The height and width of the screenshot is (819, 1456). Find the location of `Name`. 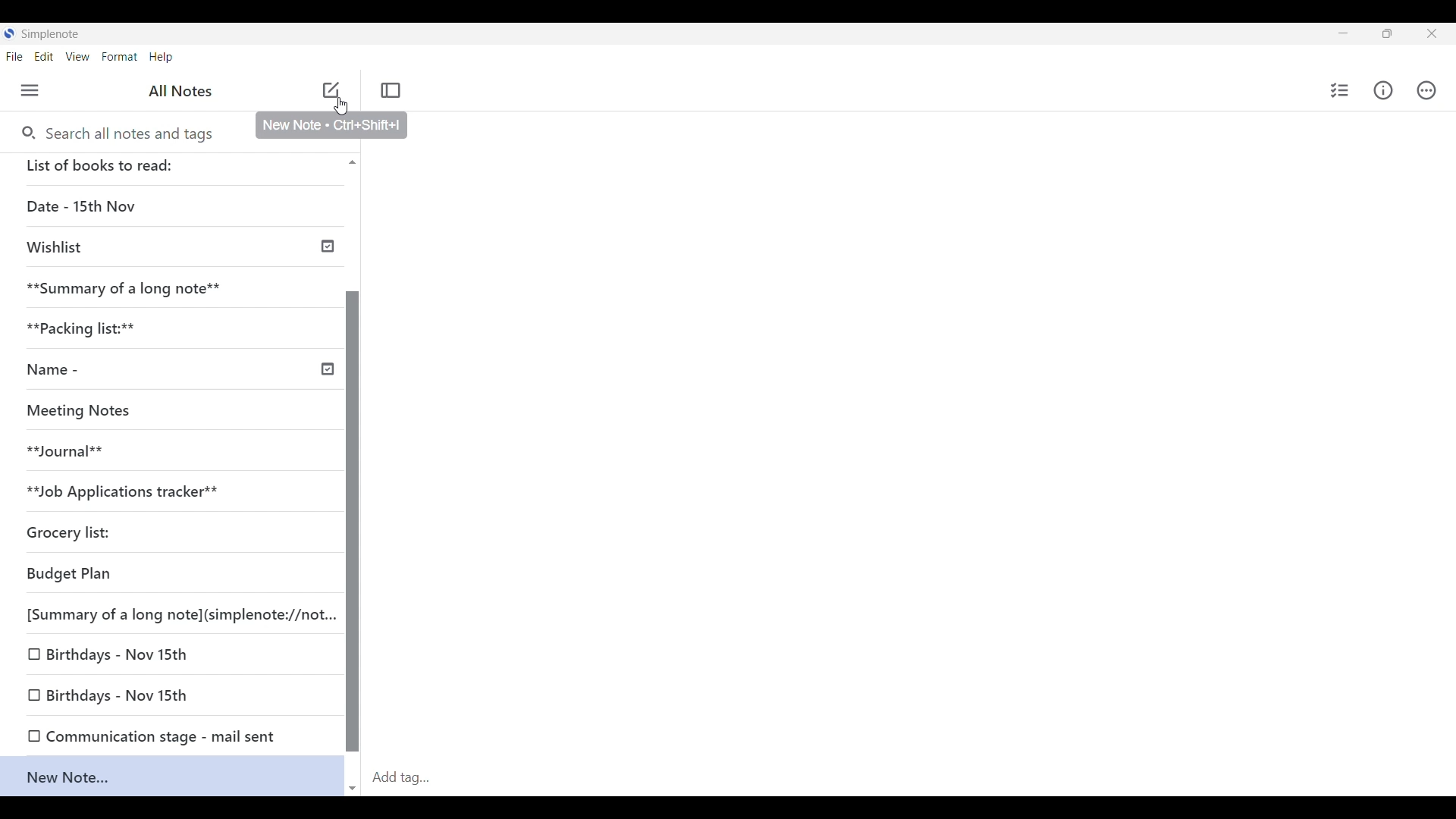

Name is located at coordinates (176, 369).